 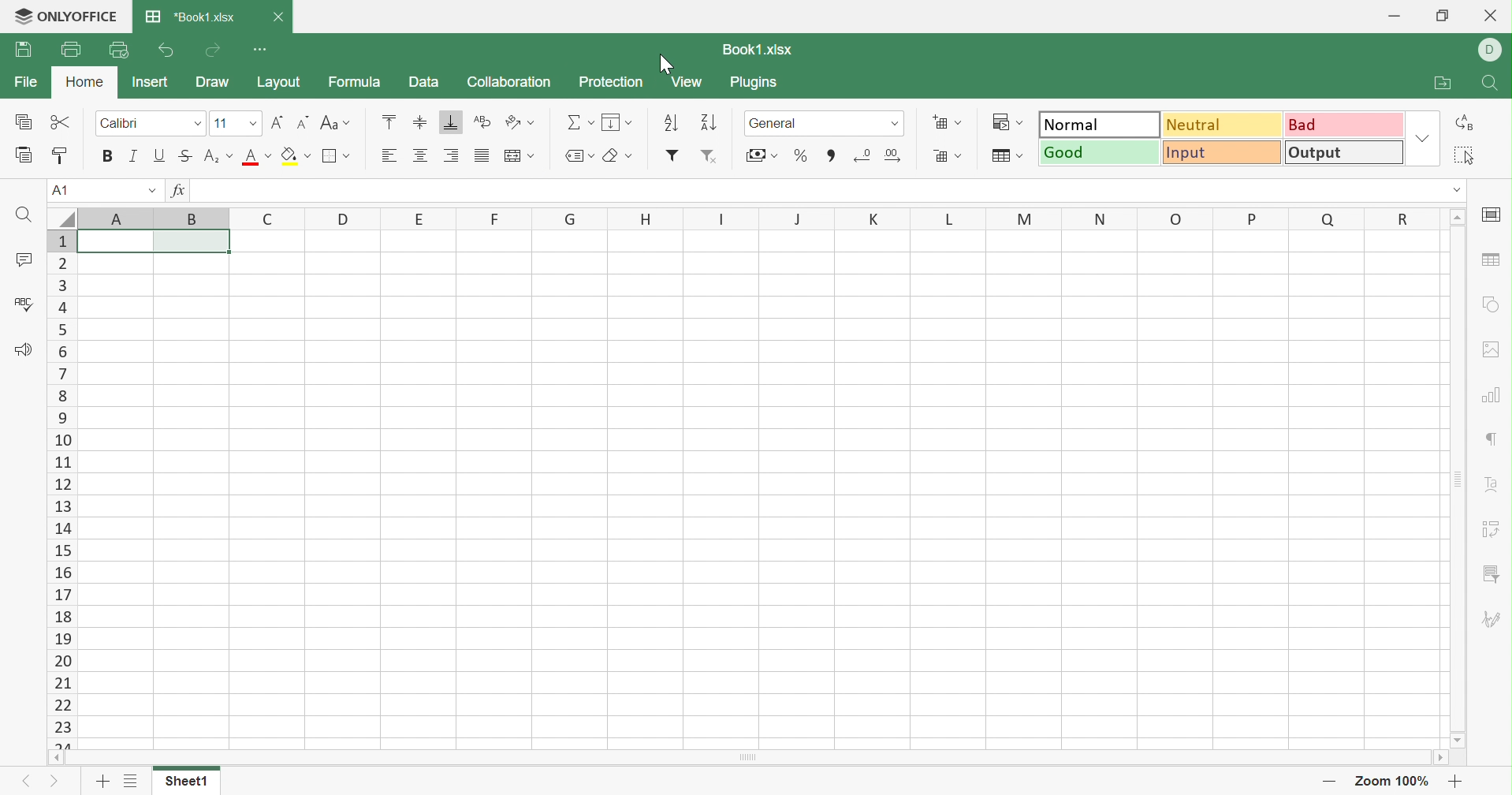 What do you see at coordinates (1441, 760) in the screenshot?
I see `Scroll Right` at bounding box center [1441, 760].